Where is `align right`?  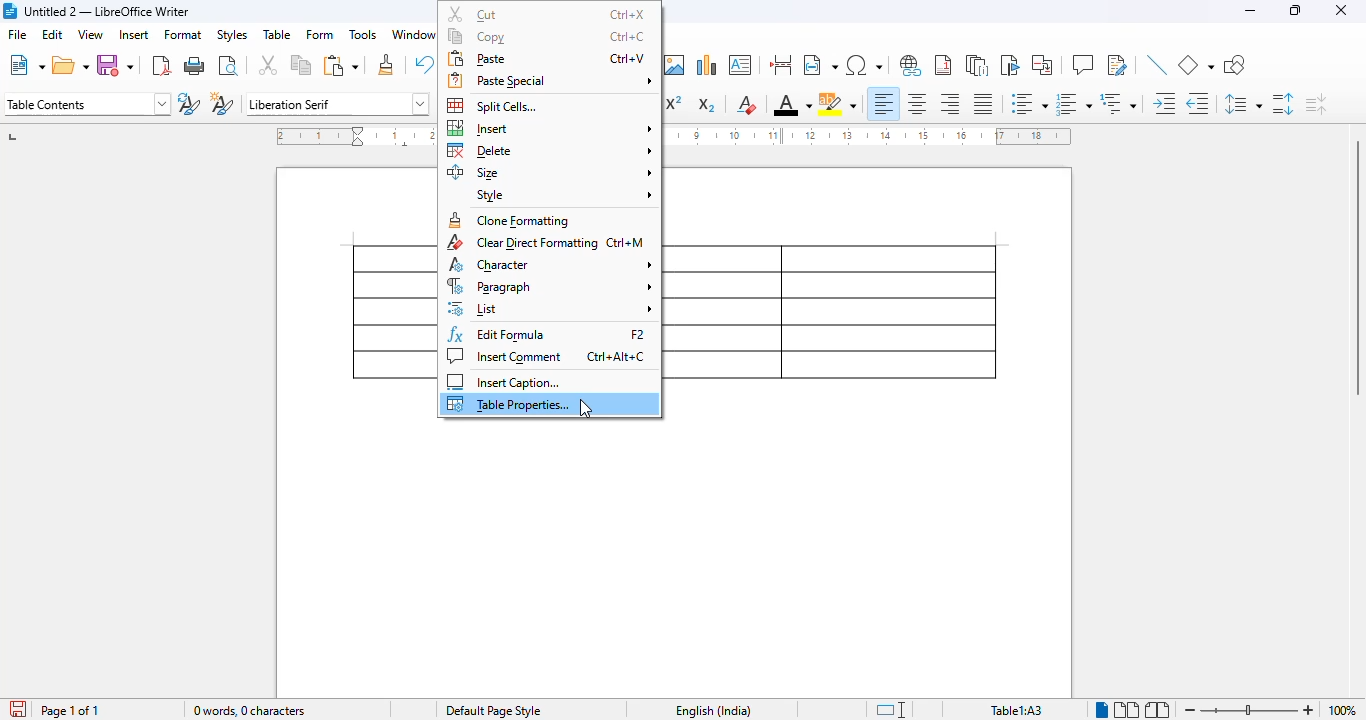 align right is located at coordinates (949, 104).